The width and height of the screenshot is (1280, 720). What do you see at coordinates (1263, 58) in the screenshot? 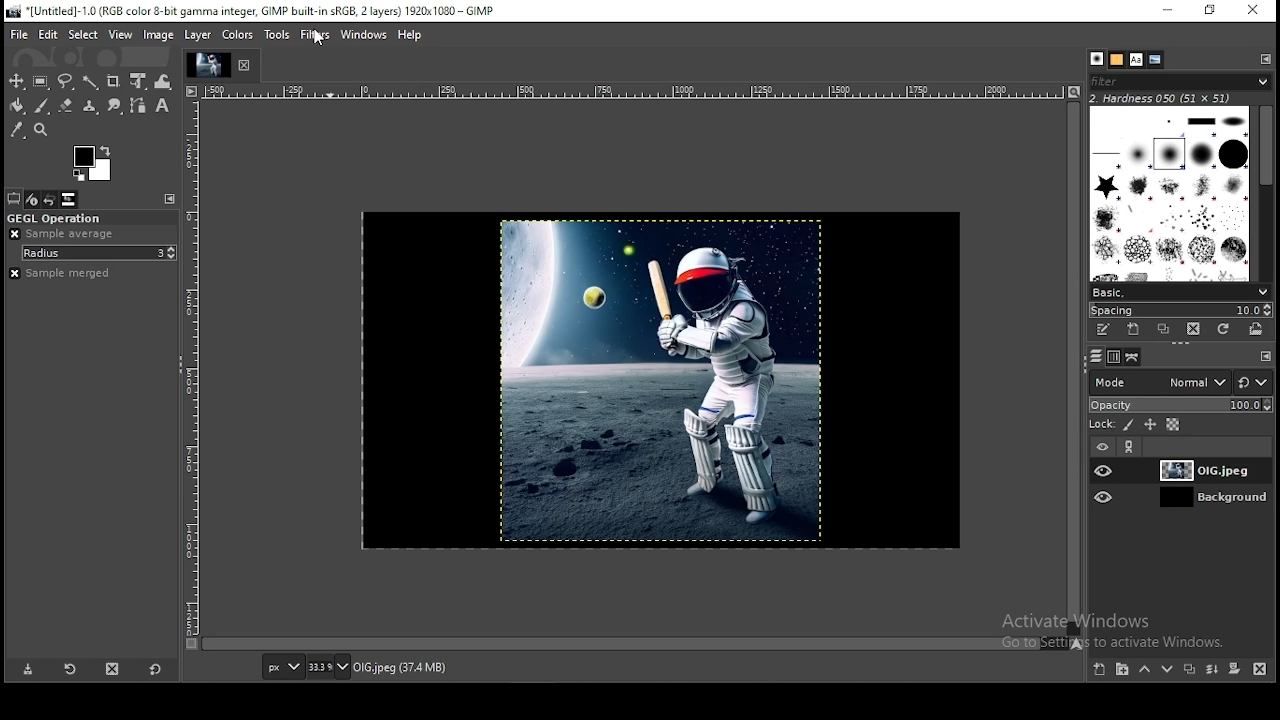
I see `configure this tab` at bounding box center [1263, 58].